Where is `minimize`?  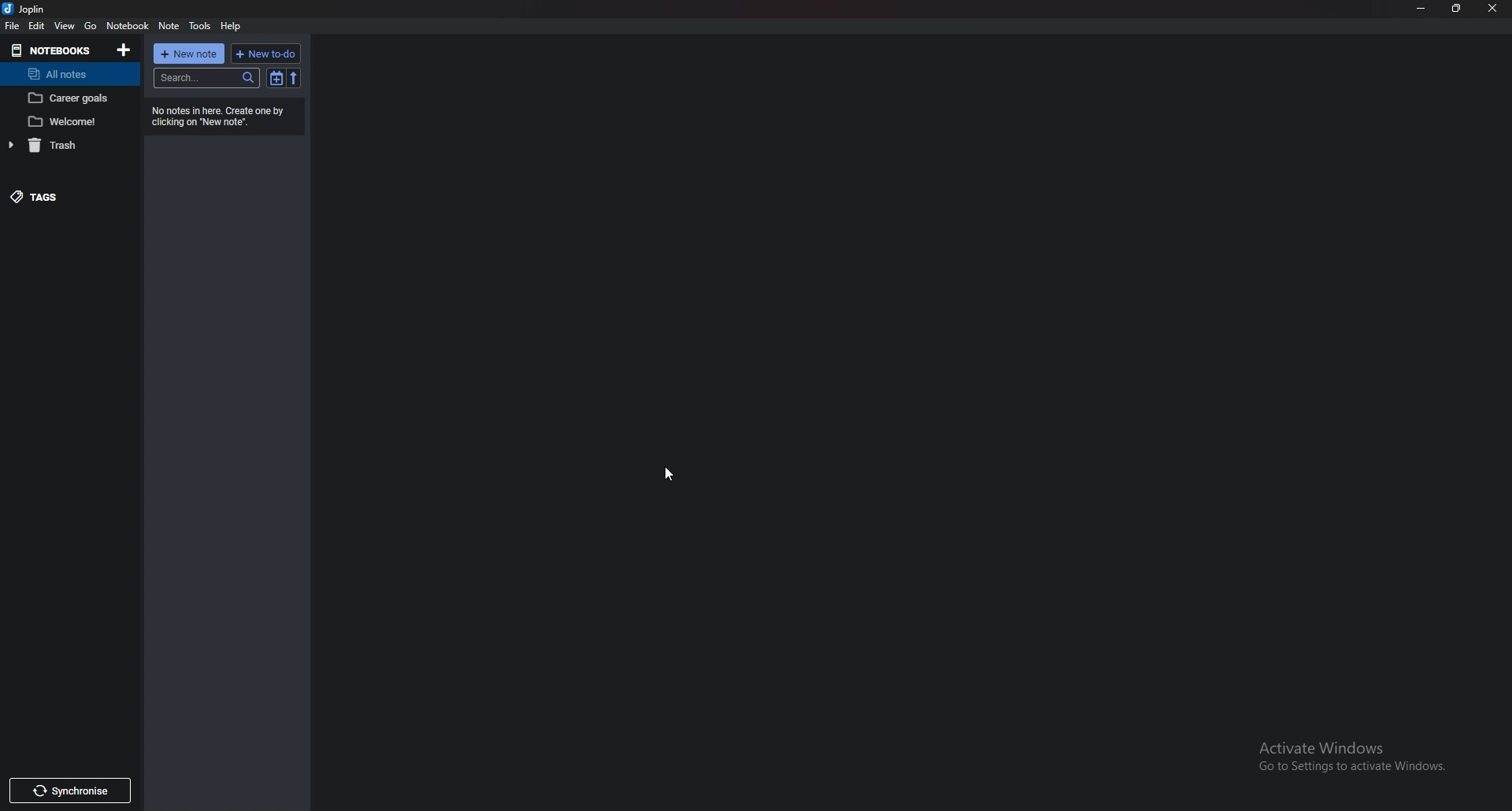
minimize is located at coordinates (1421, 9).